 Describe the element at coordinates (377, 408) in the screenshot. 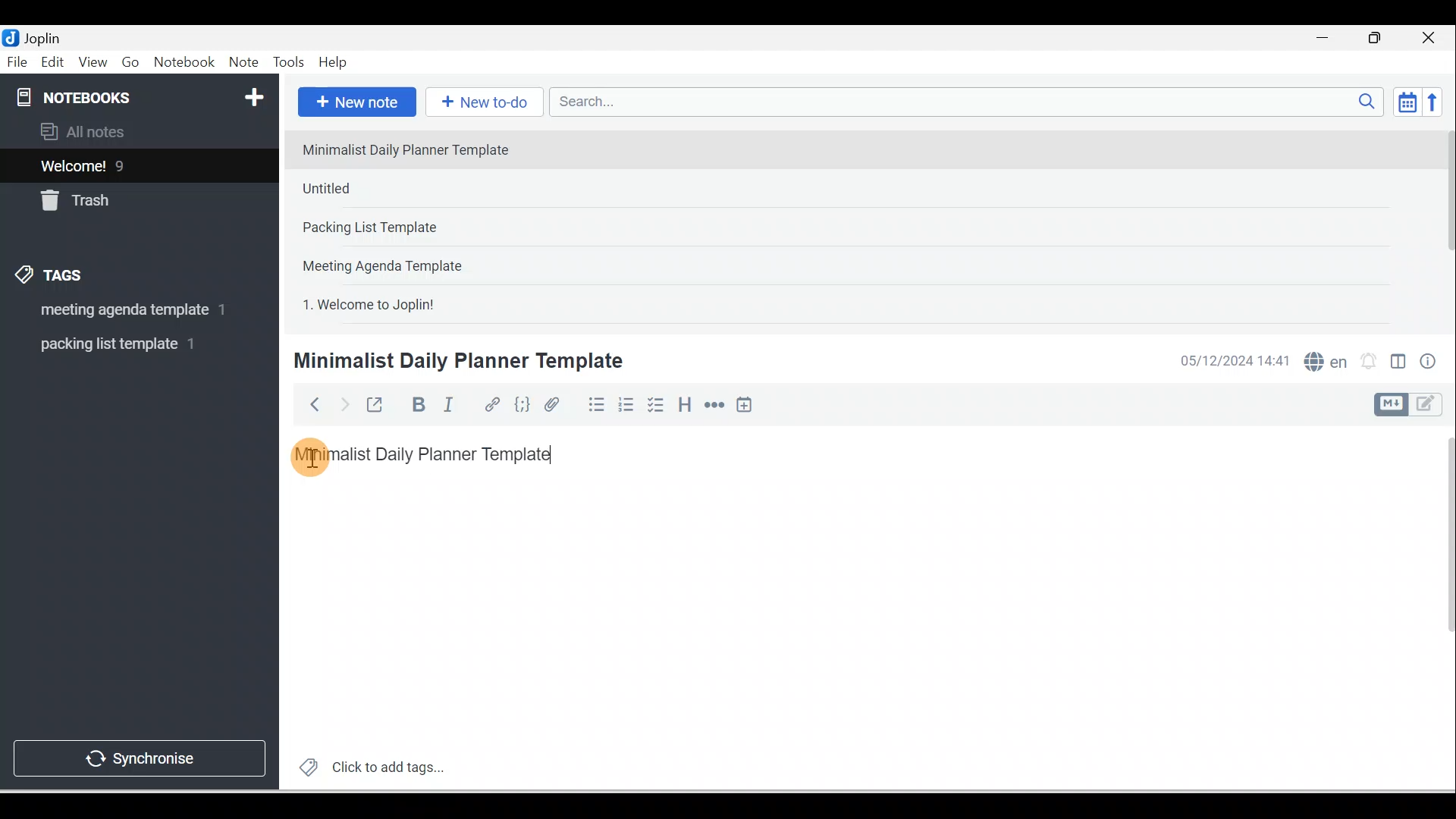

I see `Toggle external editing` at that location.